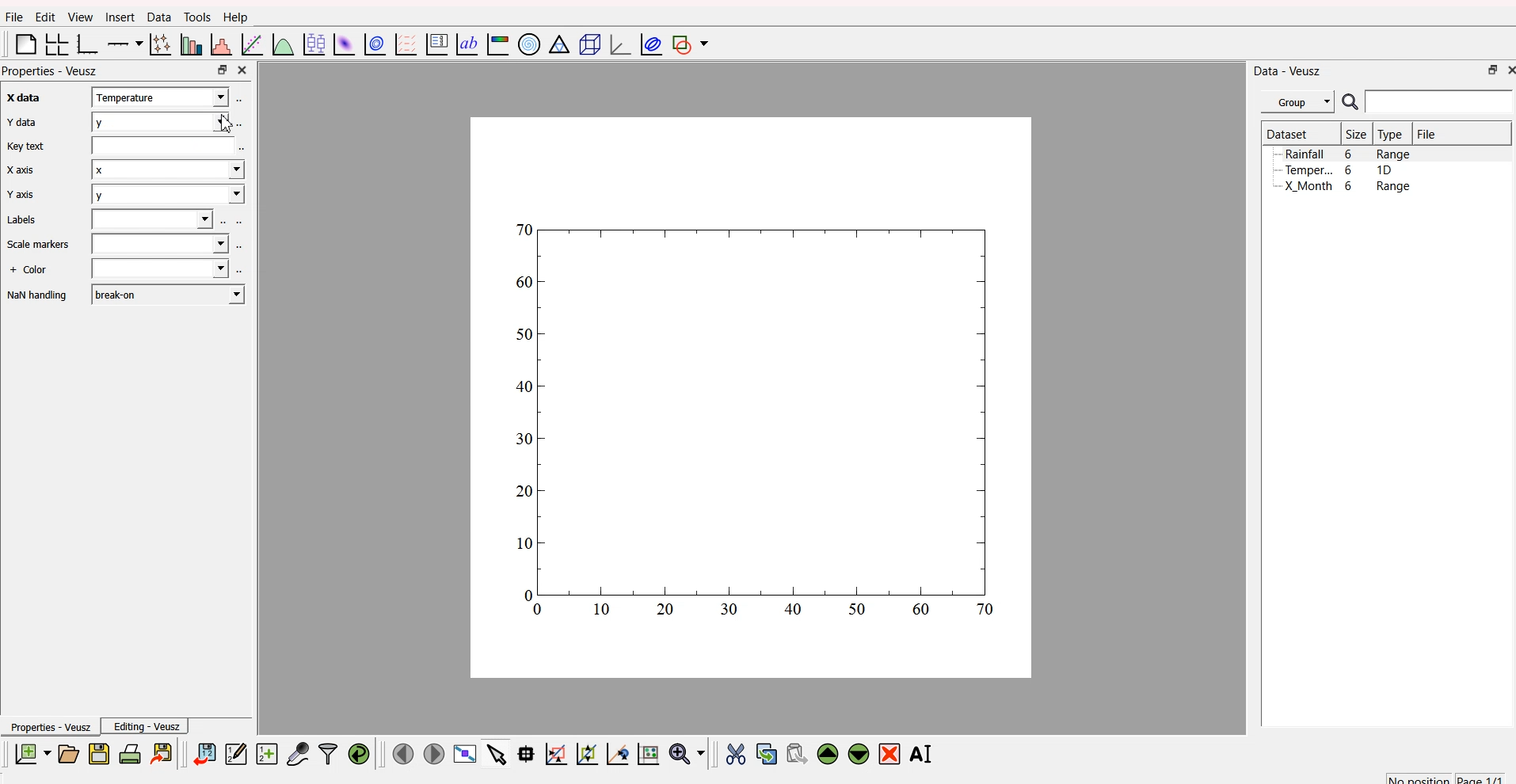 The width and height of the screenshot is (1516, 784). What do you see at coordinates (55, 45) in the screenshot?
I see `arrange grid in graph` at bounding box center [55, 45].